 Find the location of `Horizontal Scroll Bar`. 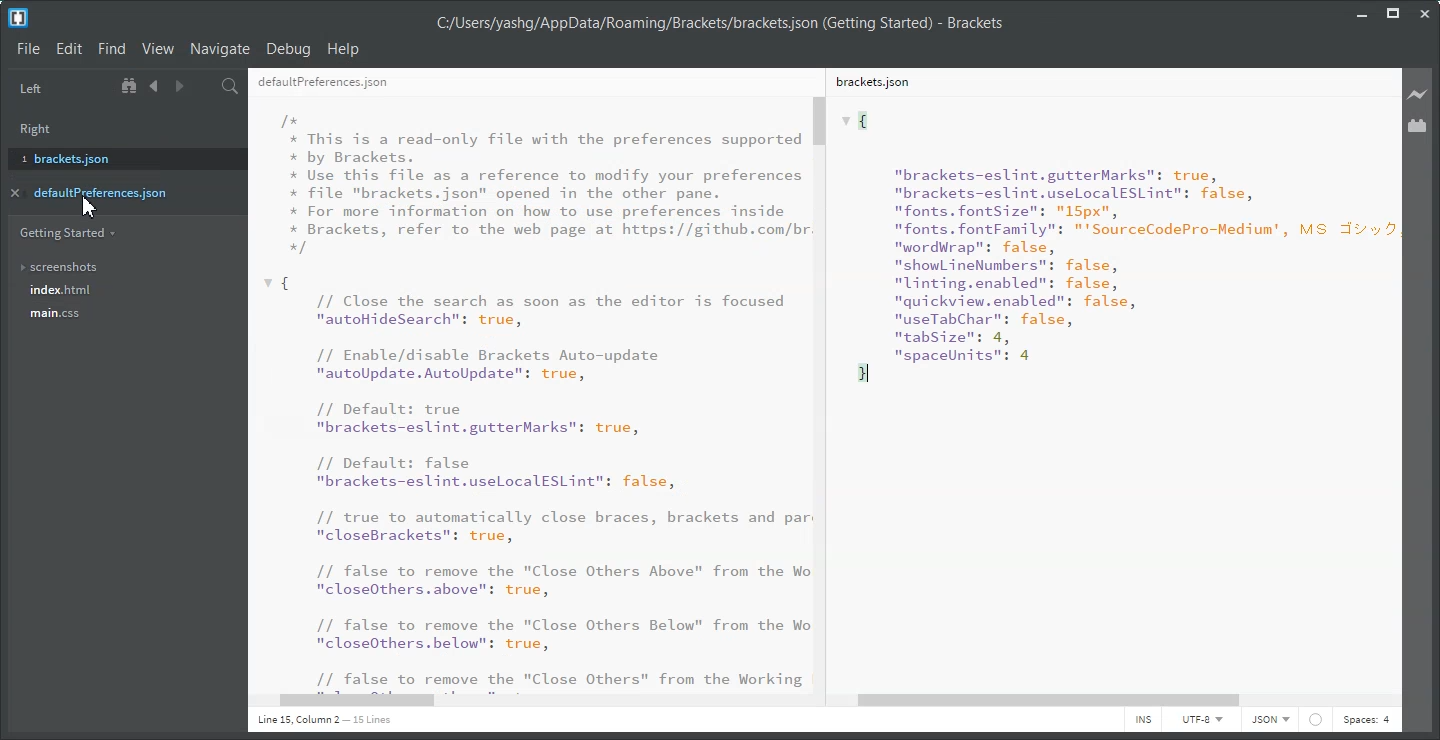

Horizontal Scroll Bar is located at coordinates (526, 701).